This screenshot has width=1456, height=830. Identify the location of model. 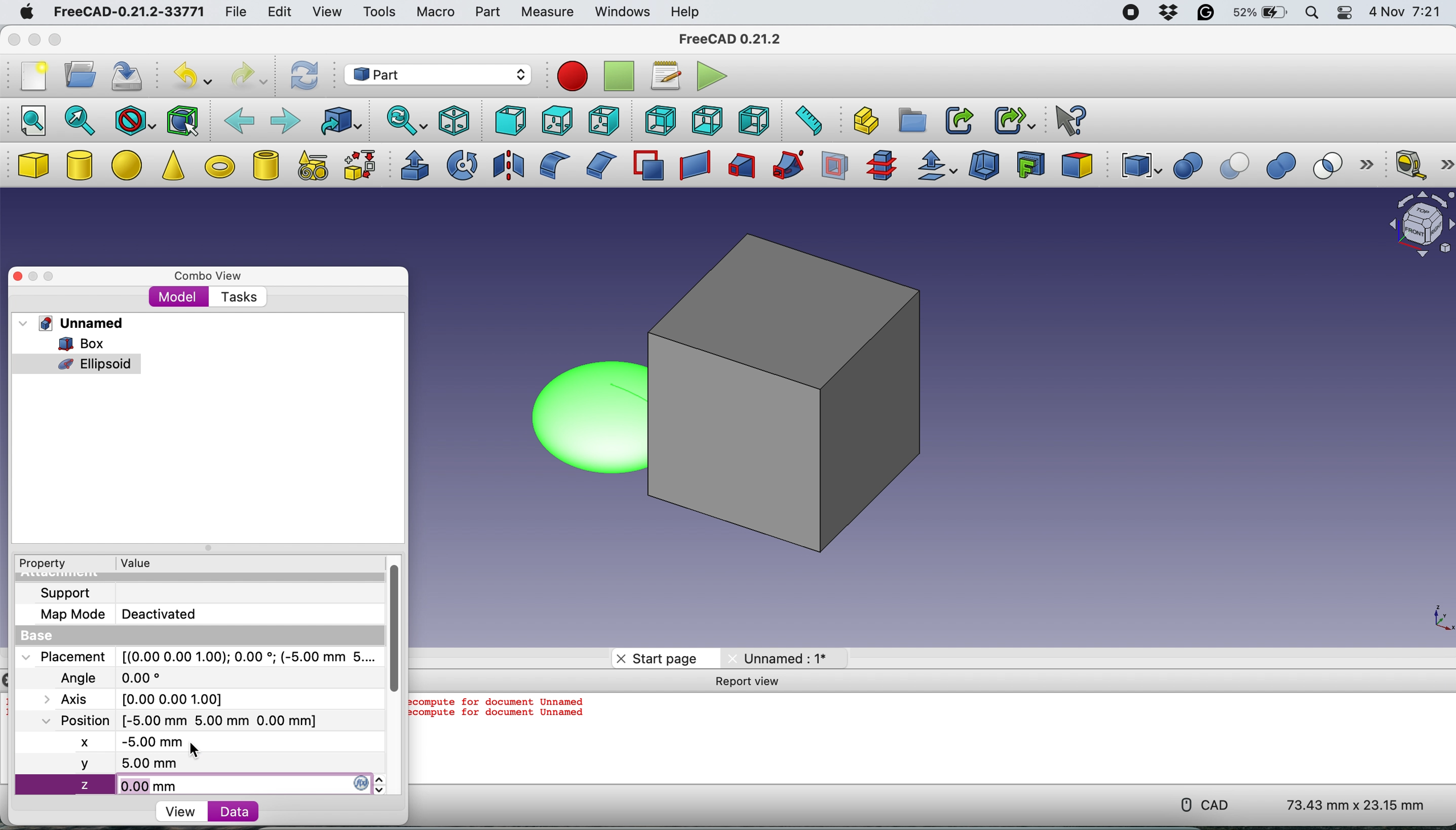
(178, 296).